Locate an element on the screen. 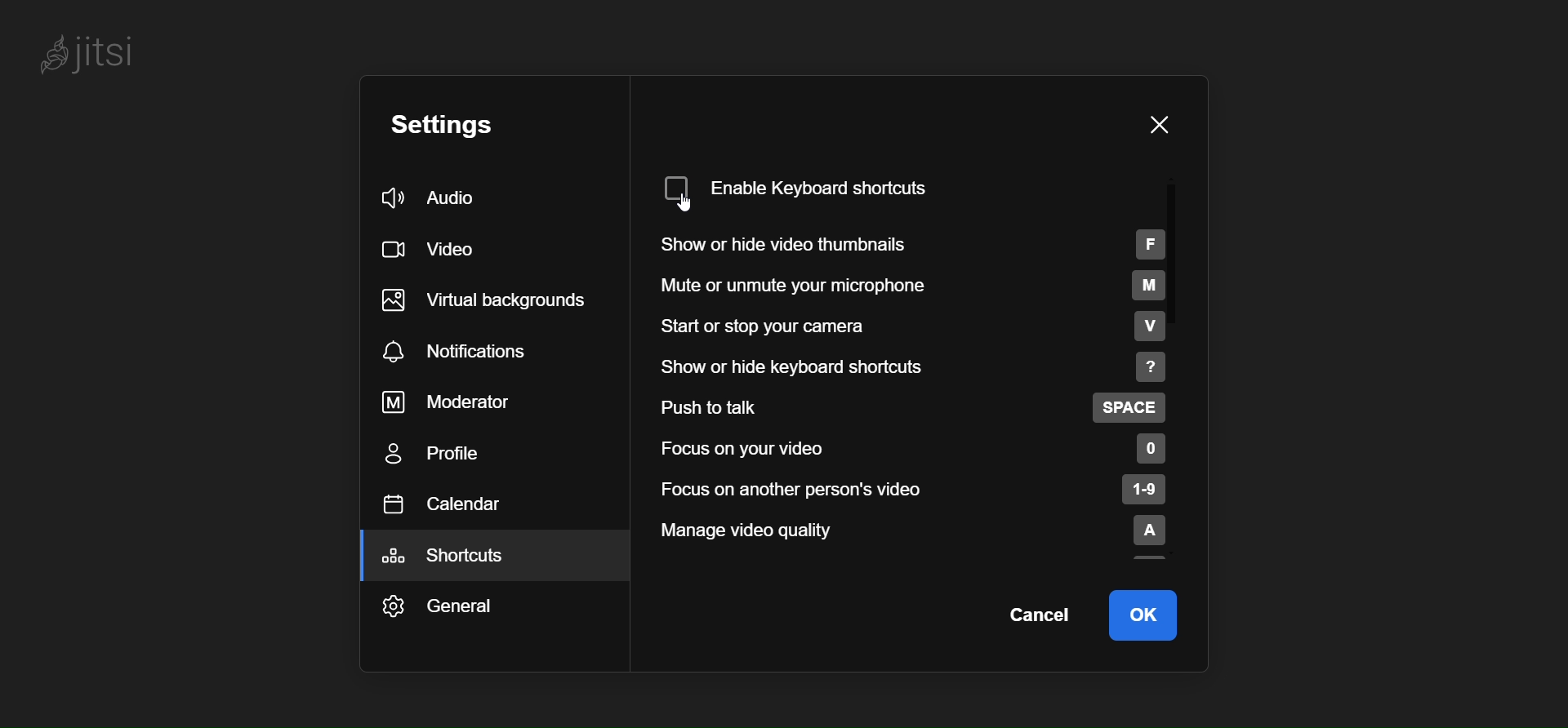 The height and width of the screenshot is (728, 1568). push to talk is located at coordinates (901, 409).